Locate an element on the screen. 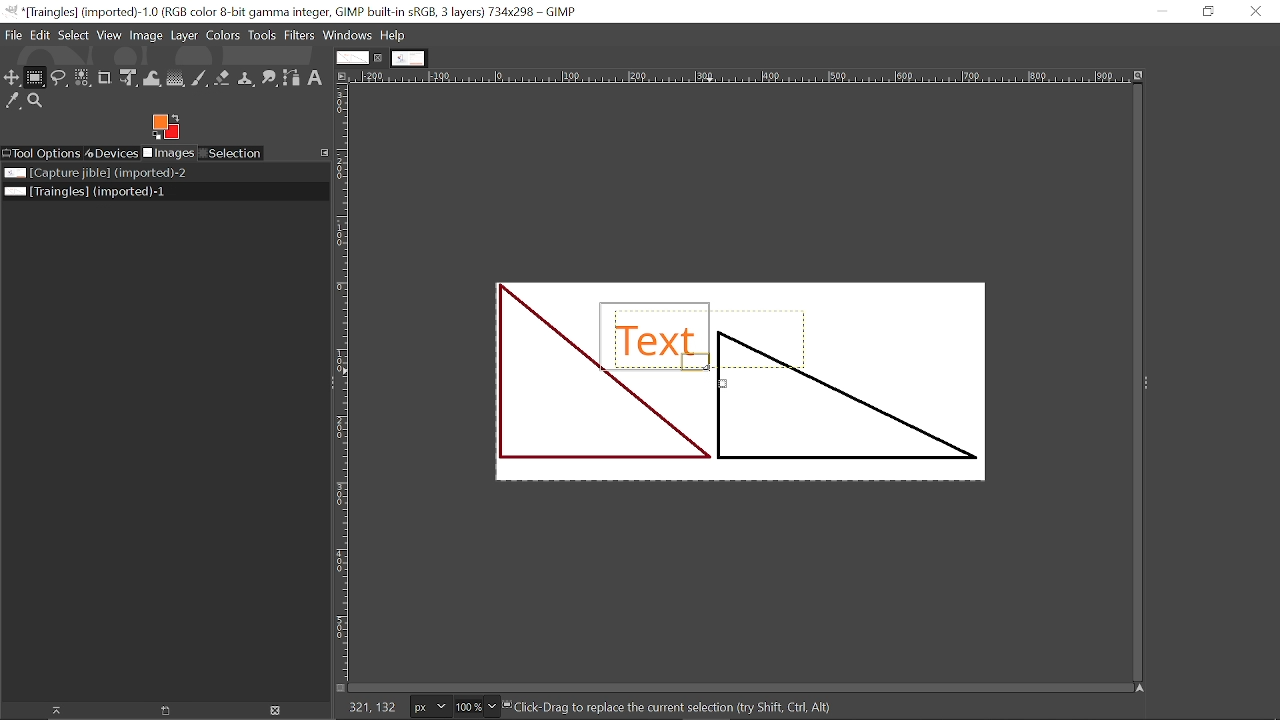  Select by color is located at coordinates (83, 79).